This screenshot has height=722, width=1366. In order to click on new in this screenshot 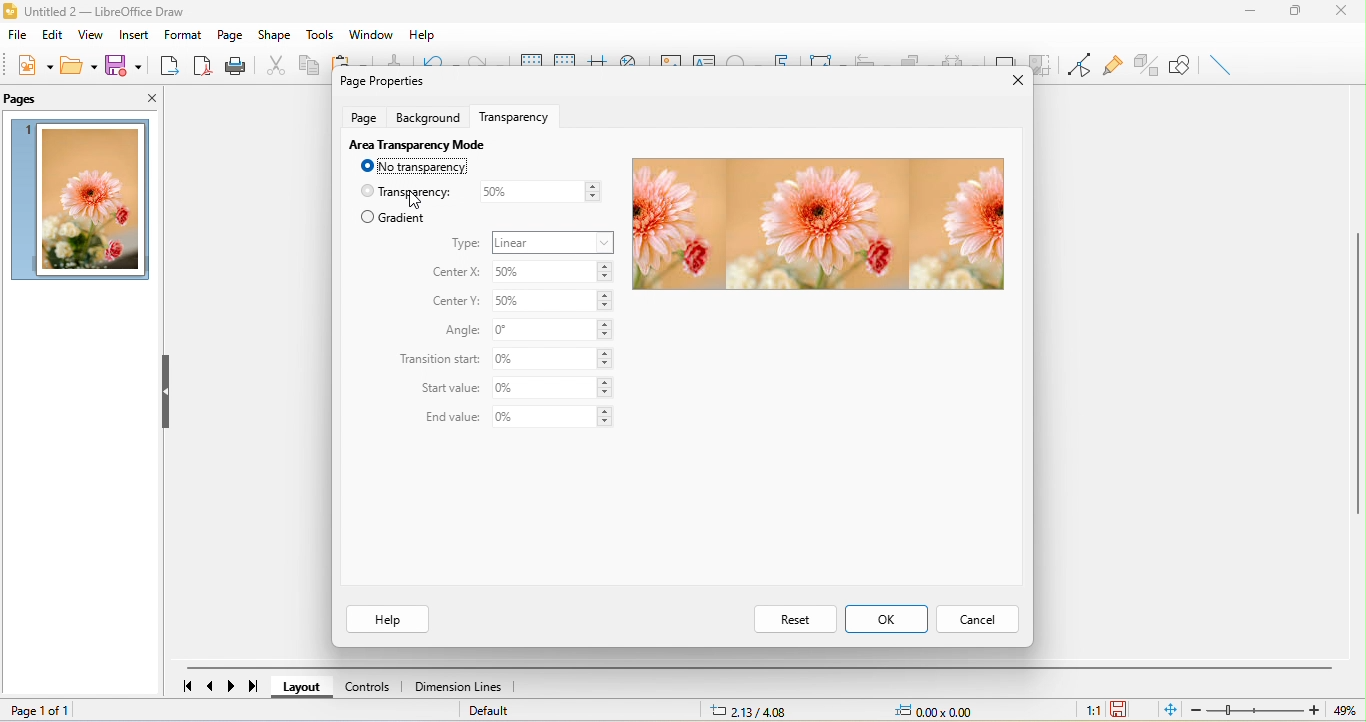, I will do `click(36, 65)`.